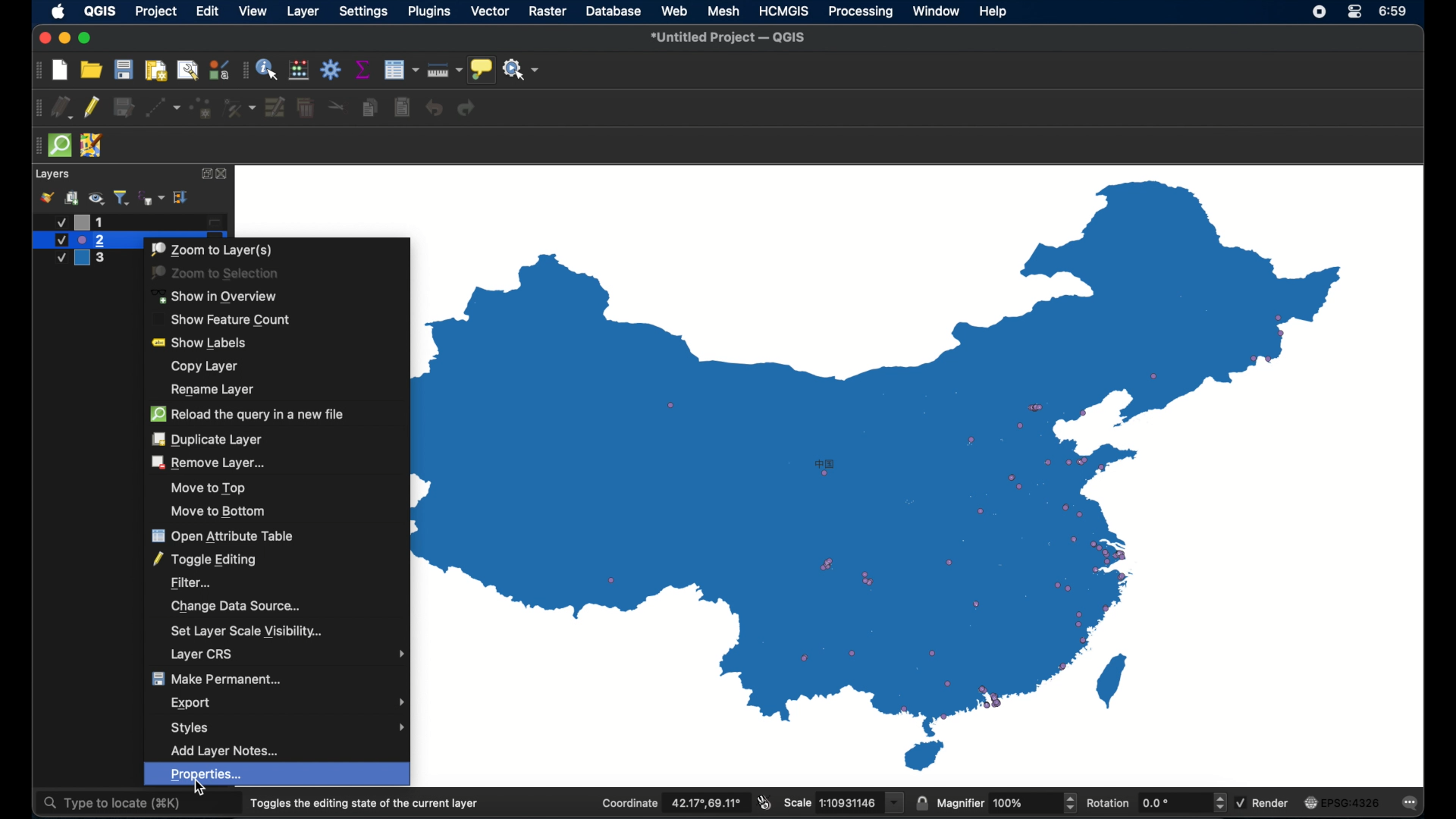 The height and width of the screenshot is (819, 1456). What do you see at coordinates (469, 108) in the screenshot?
I see `redo` at bounding box center [469, 108].